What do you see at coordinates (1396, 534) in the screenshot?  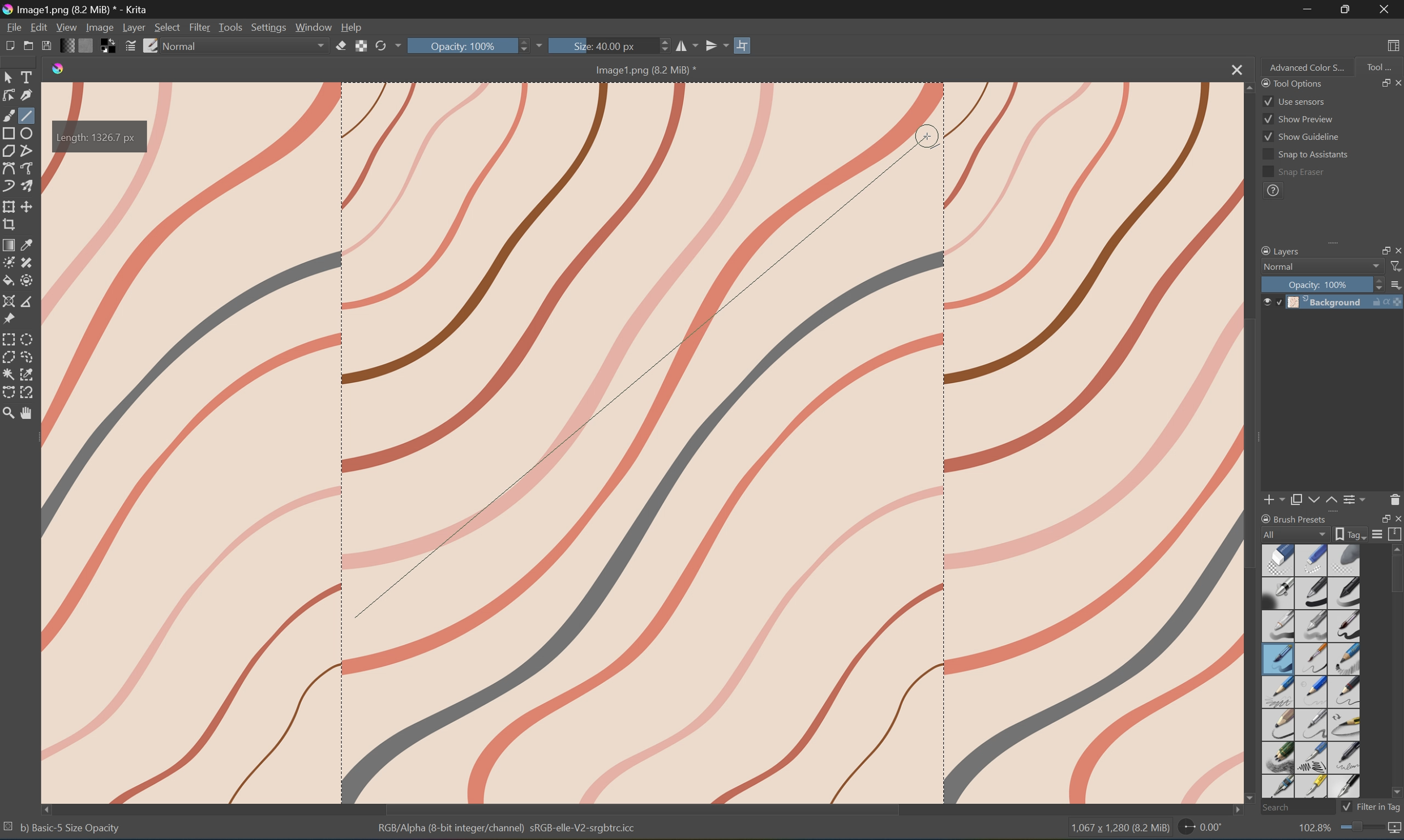 I see `Storage resources` at bounding box center [1396, 534].